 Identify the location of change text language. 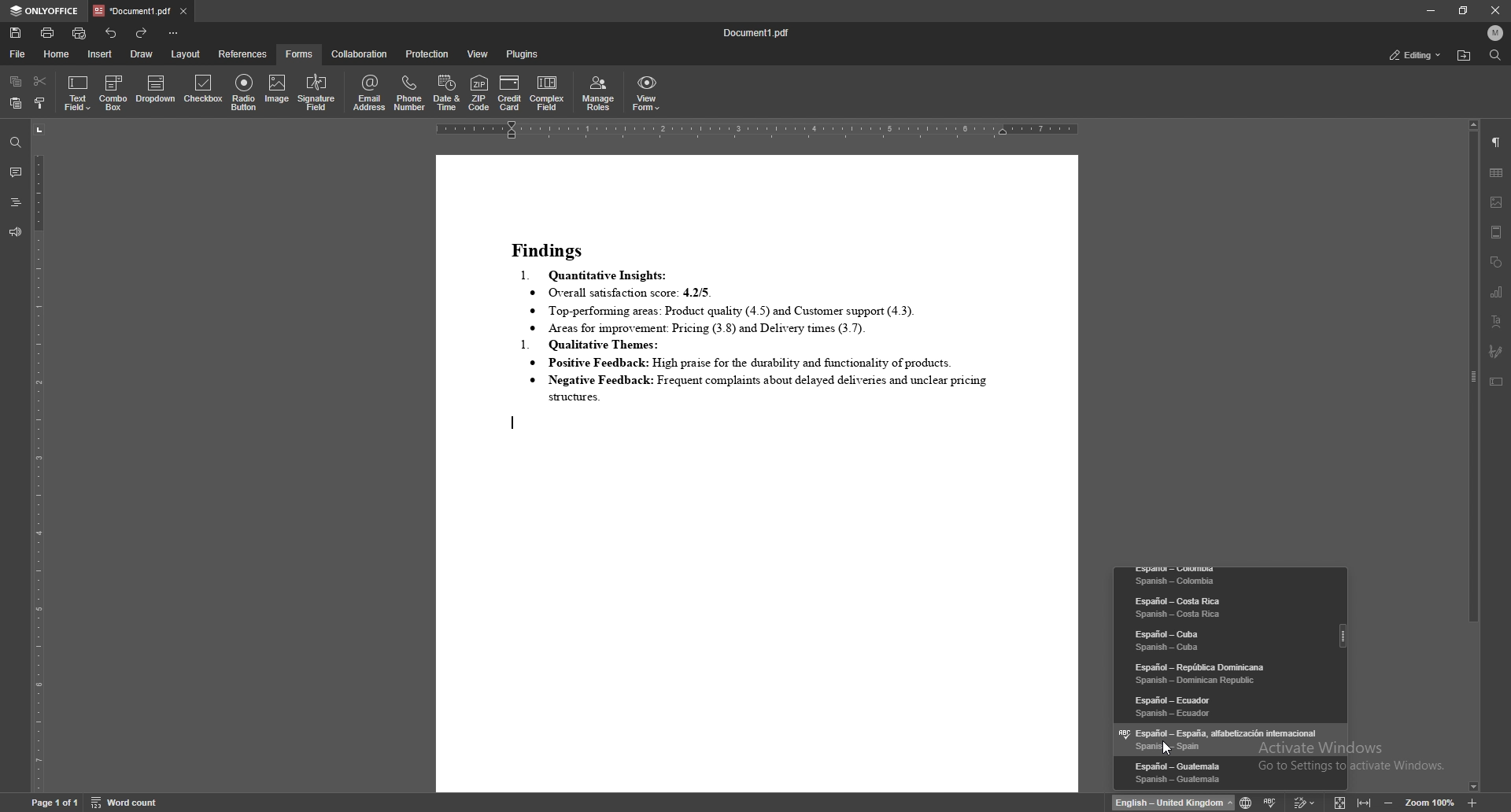
(1173, 803).